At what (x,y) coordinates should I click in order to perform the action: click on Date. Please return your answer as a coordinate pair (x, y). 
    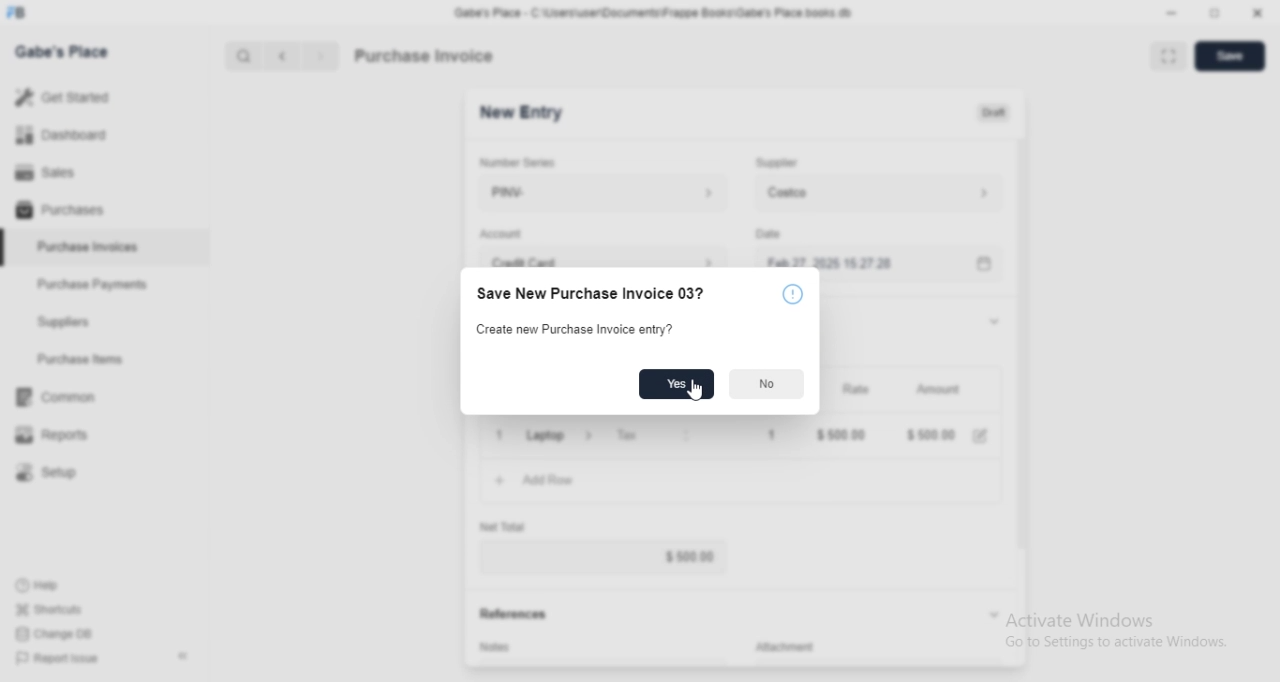
    Looking at the image, I should click on (768, 234).